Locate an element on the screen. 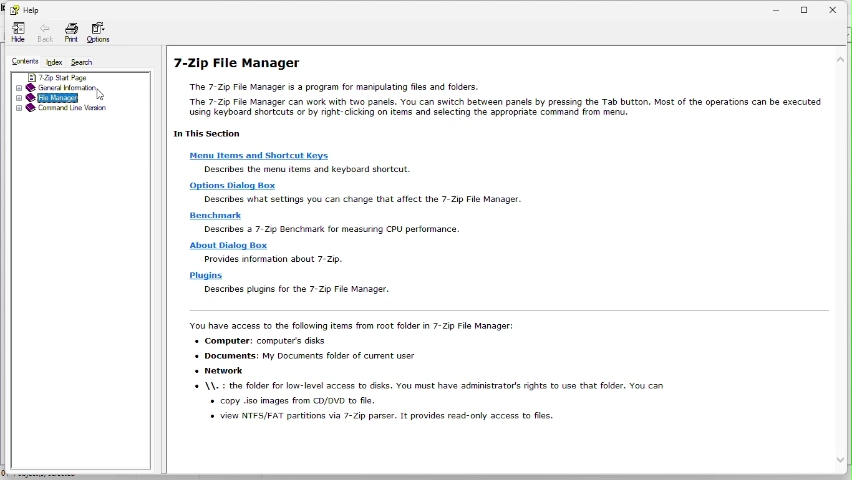  plugins is located at coordinates (206, 275).